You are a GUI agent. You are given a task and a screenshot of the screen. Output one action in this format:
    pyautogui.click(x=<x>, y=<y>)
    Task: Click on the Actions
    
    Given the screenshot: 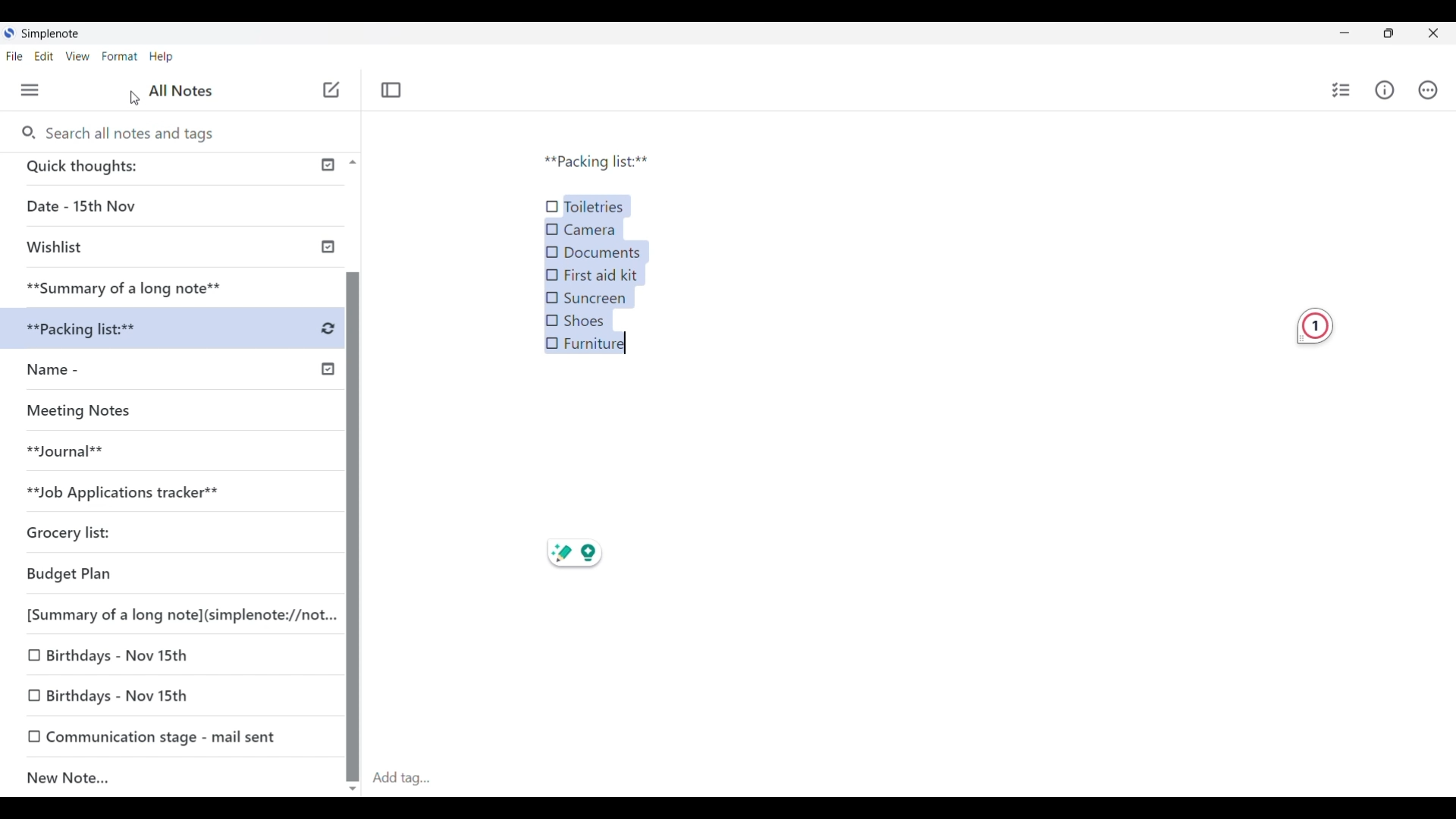 What is the action you would take?
    pyautogui.click(x=1428, y=89)
    